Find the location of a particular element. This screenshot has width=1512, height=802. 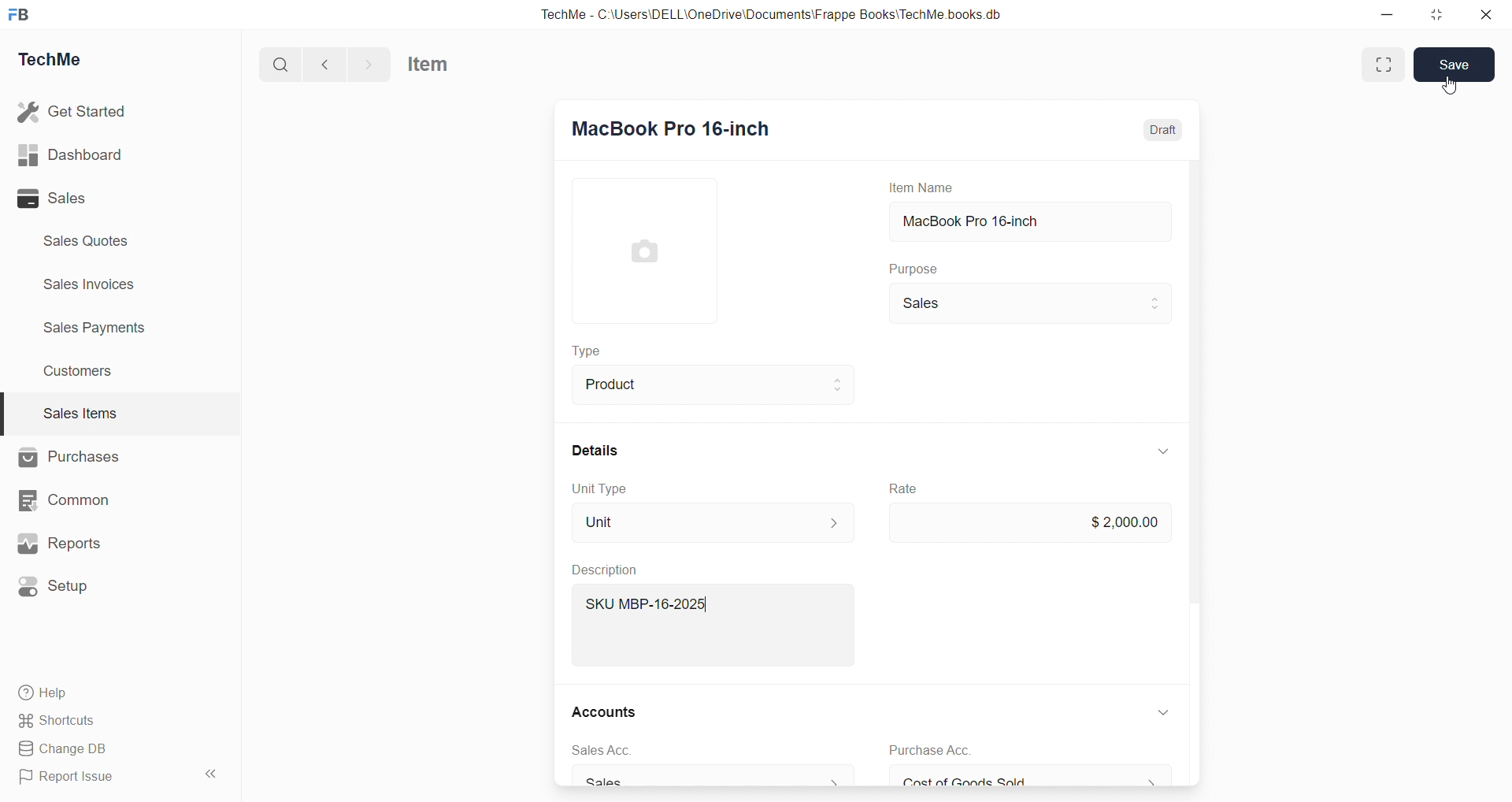

SKU MBP-16-2025| is located at coordinates (647, 603).